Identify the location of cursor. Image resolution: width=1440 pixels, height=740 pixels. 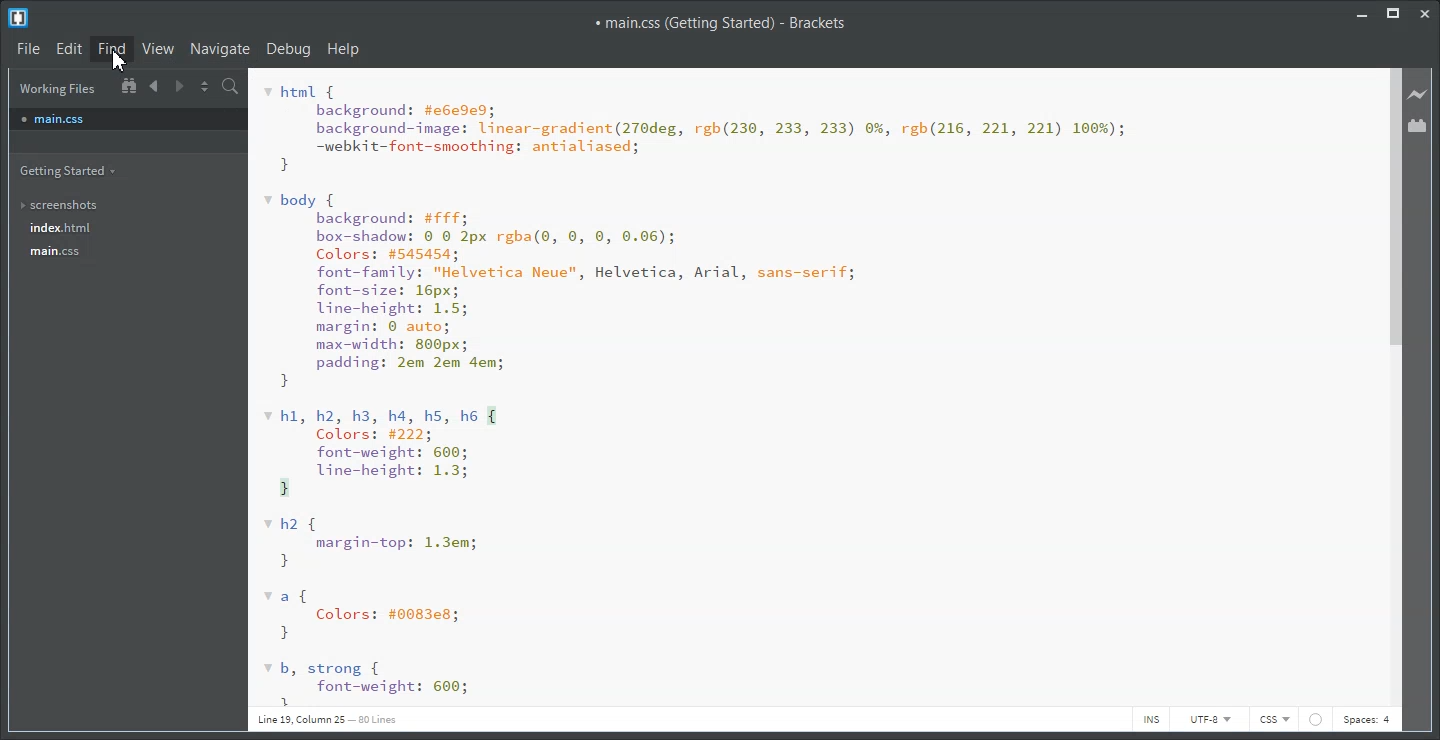
(116, 65).